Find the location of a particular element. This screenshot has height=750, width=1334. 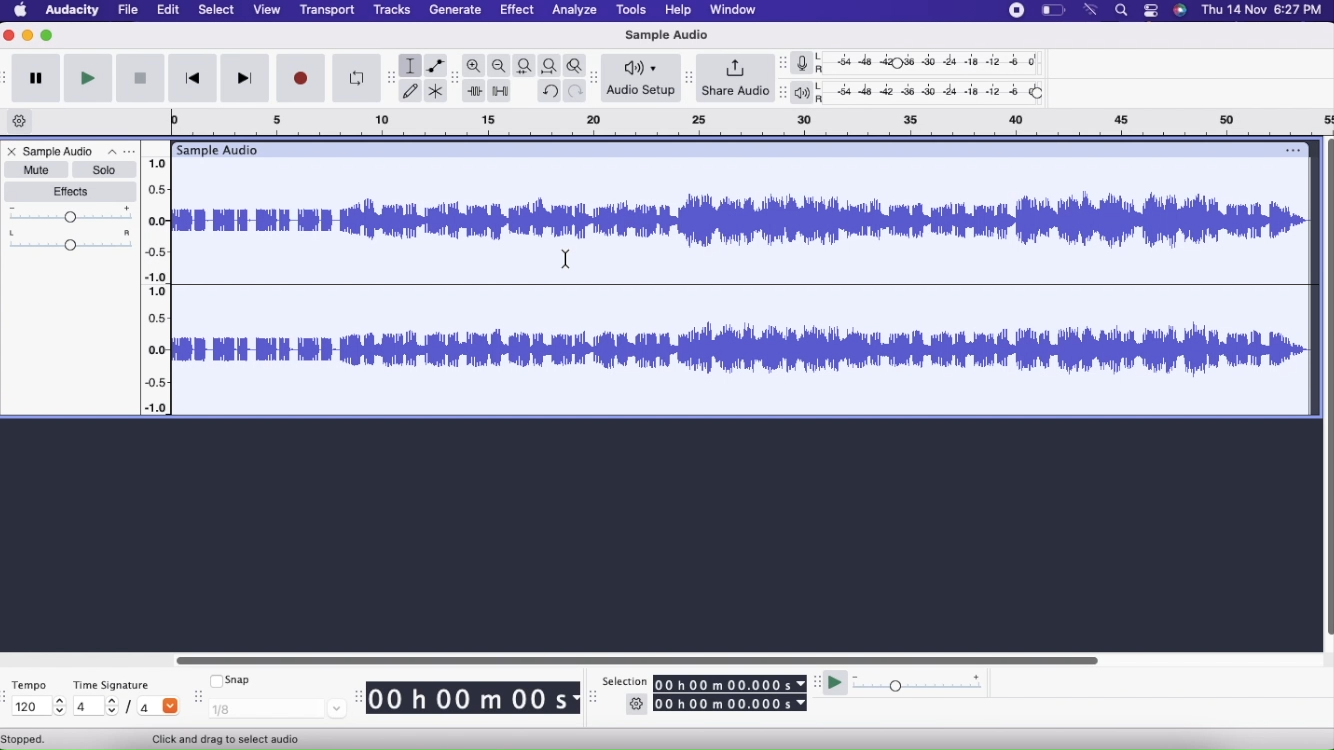

Zoom Toggle is located at coordinates (574, 66).